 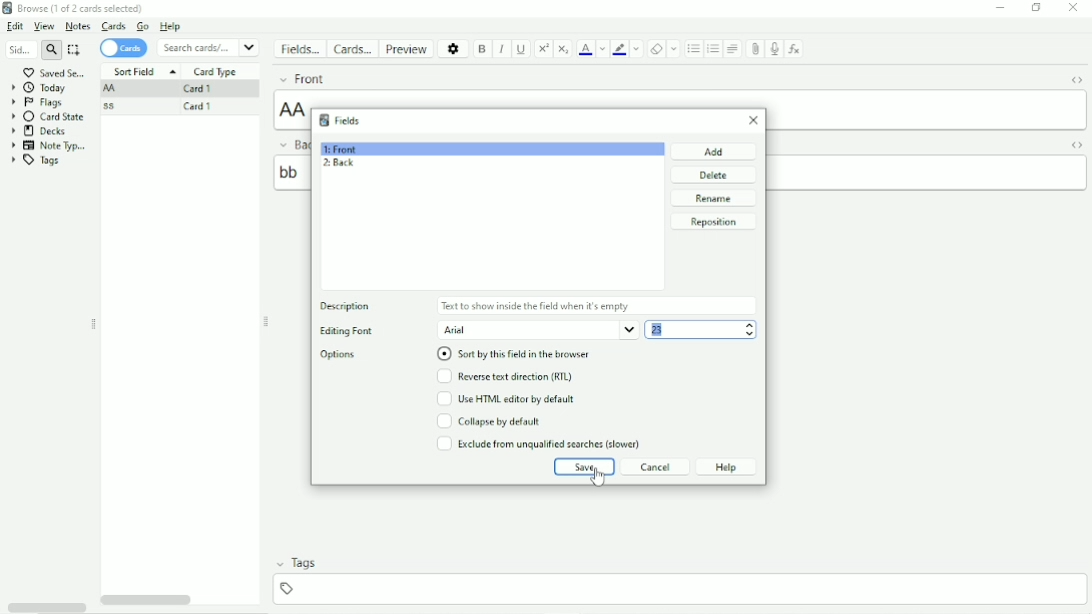 What do you see at coordinates (352, 121) in the screenshot?
I see `Fields` at bounding box center [352, 121].